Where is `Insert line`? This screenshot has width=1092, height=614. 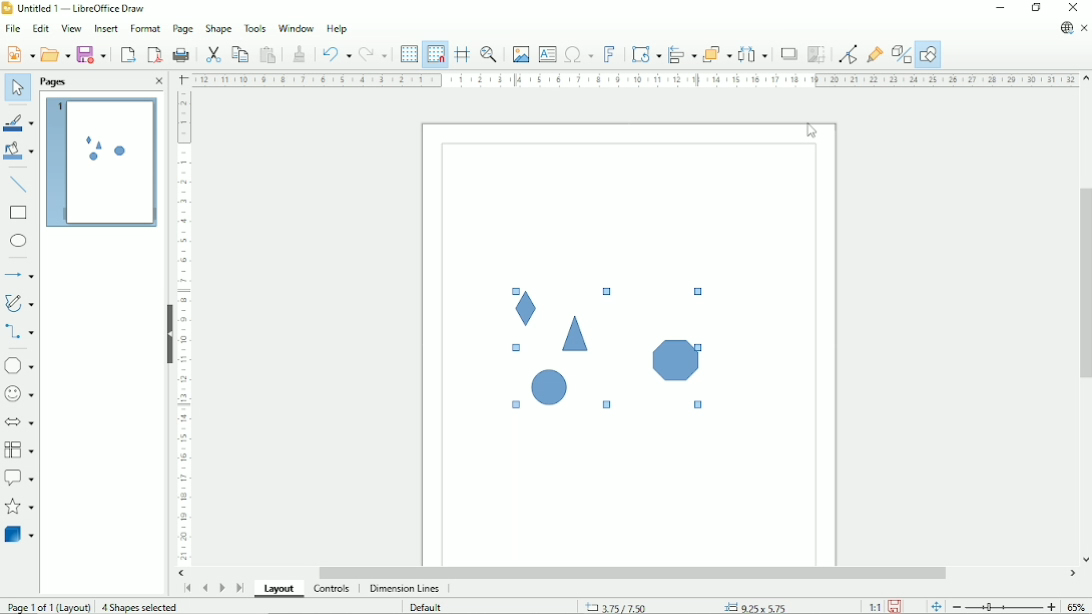 Insert line is located at coordinates (19, 186).